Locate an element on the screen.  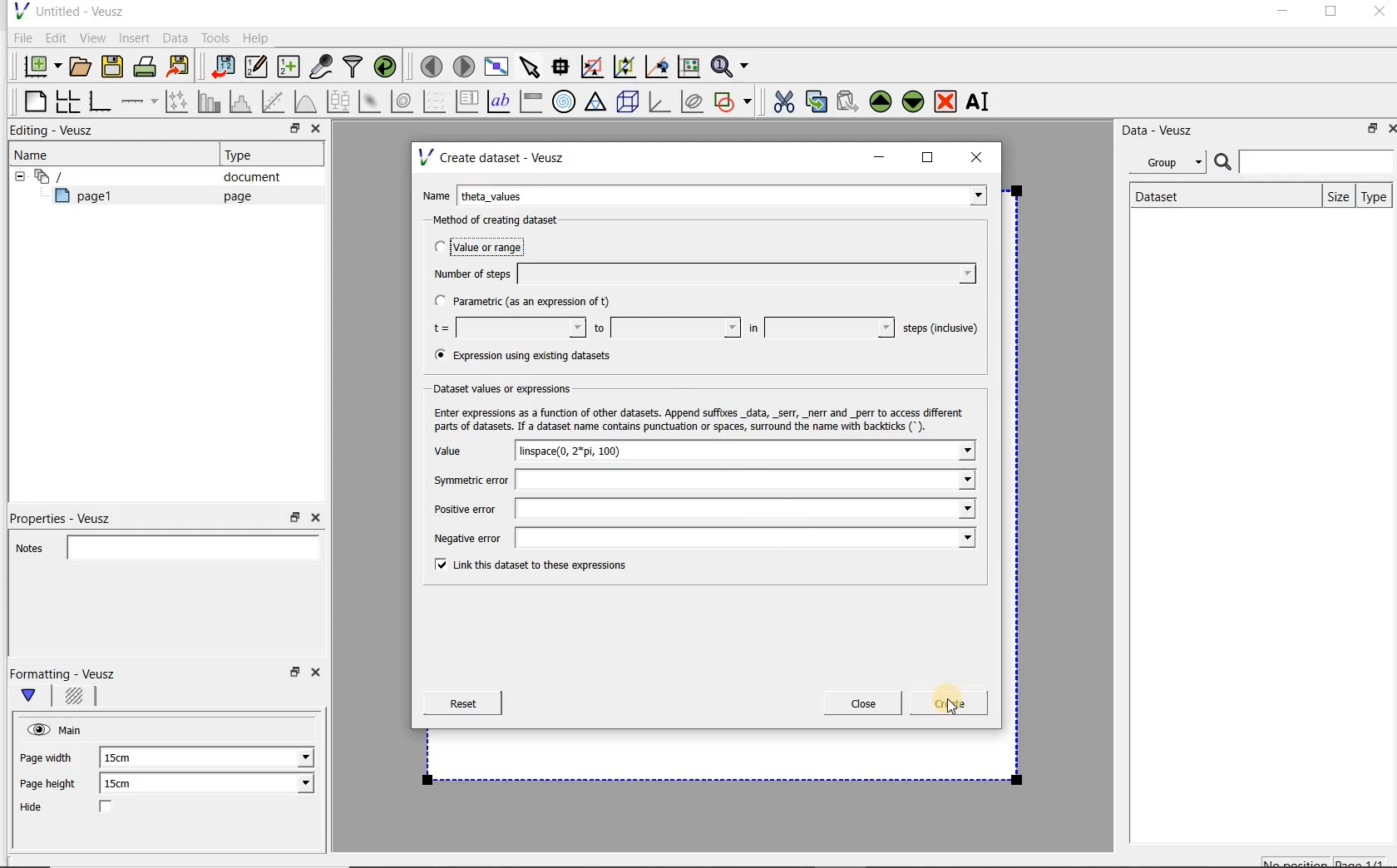
click or draw a rectangle to zoom graph axes is located at coordinates (595, 67).